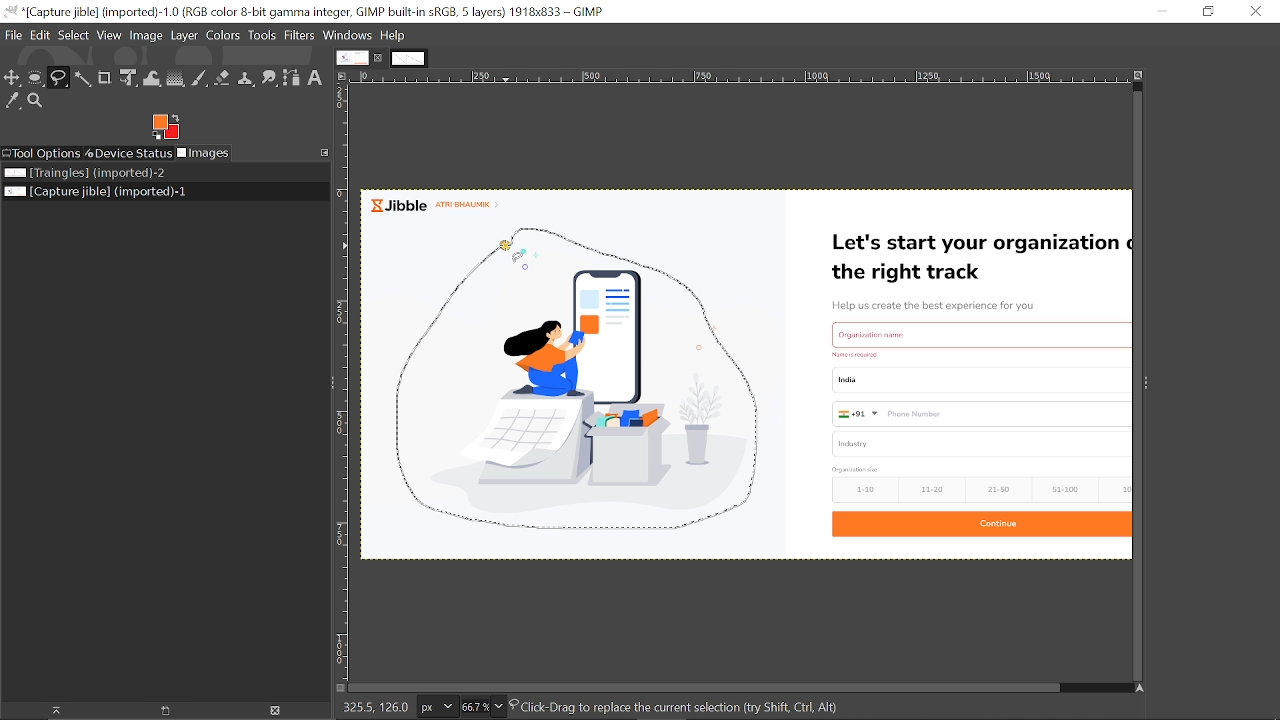 The height and width of the screenshot is (720, 1280). Describe the element at coordinates (60, 79) in the screenshot. I see `Free select tool` at that location.